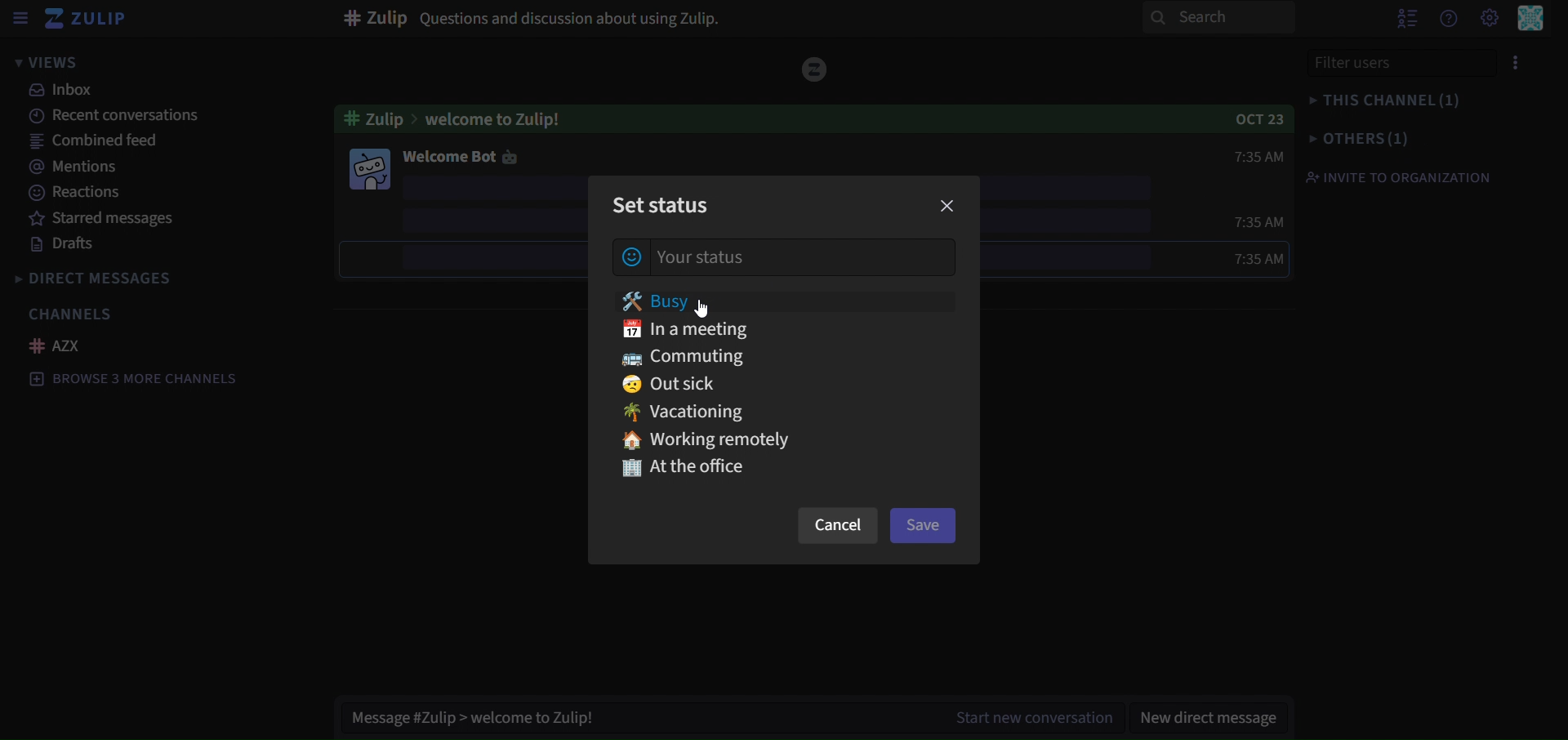 This screenshot has width=1568, height=740. What do you see at coordinates (834, 528) in the screenshot?
I see `cancel` at bounding box center [834, 528].